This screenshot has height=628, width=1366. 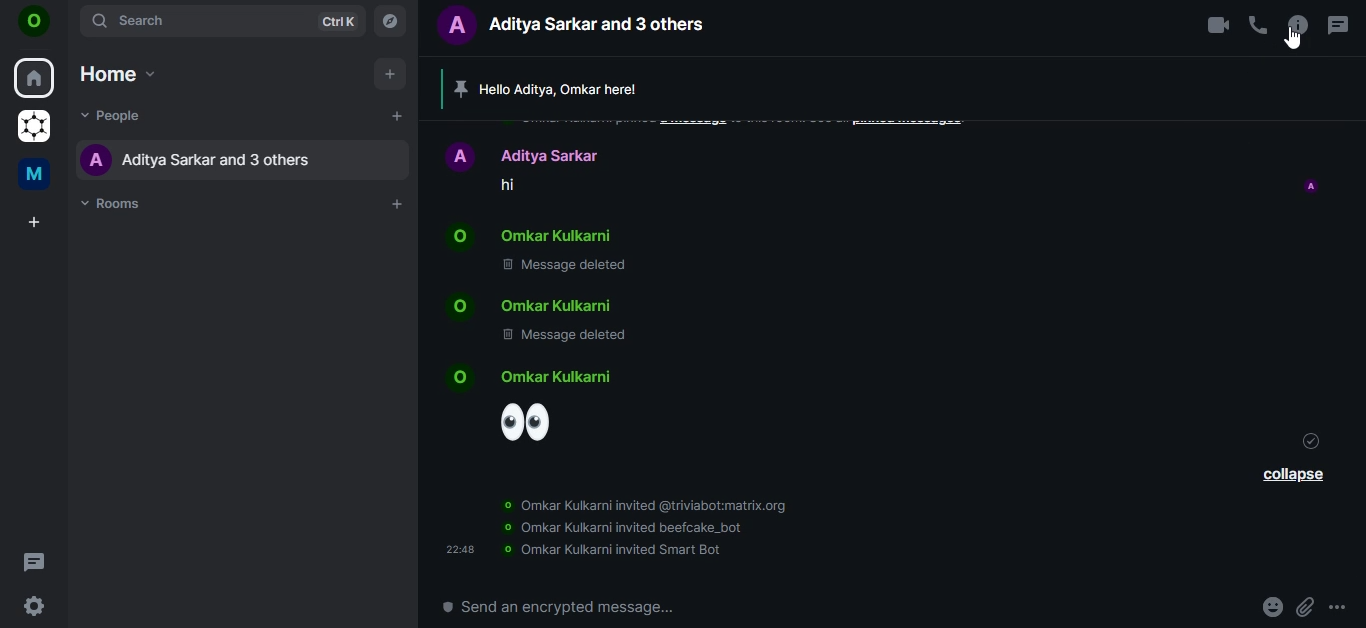 I want to click on , so click(x=398, y=204).